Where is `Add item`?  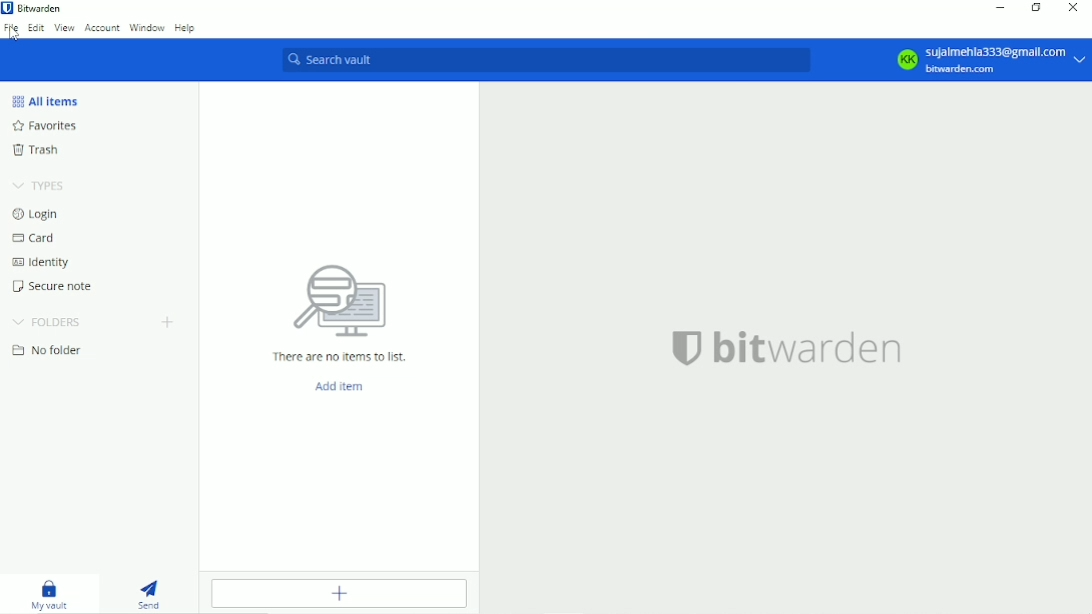
Add item is located at coordinates (340, 388).